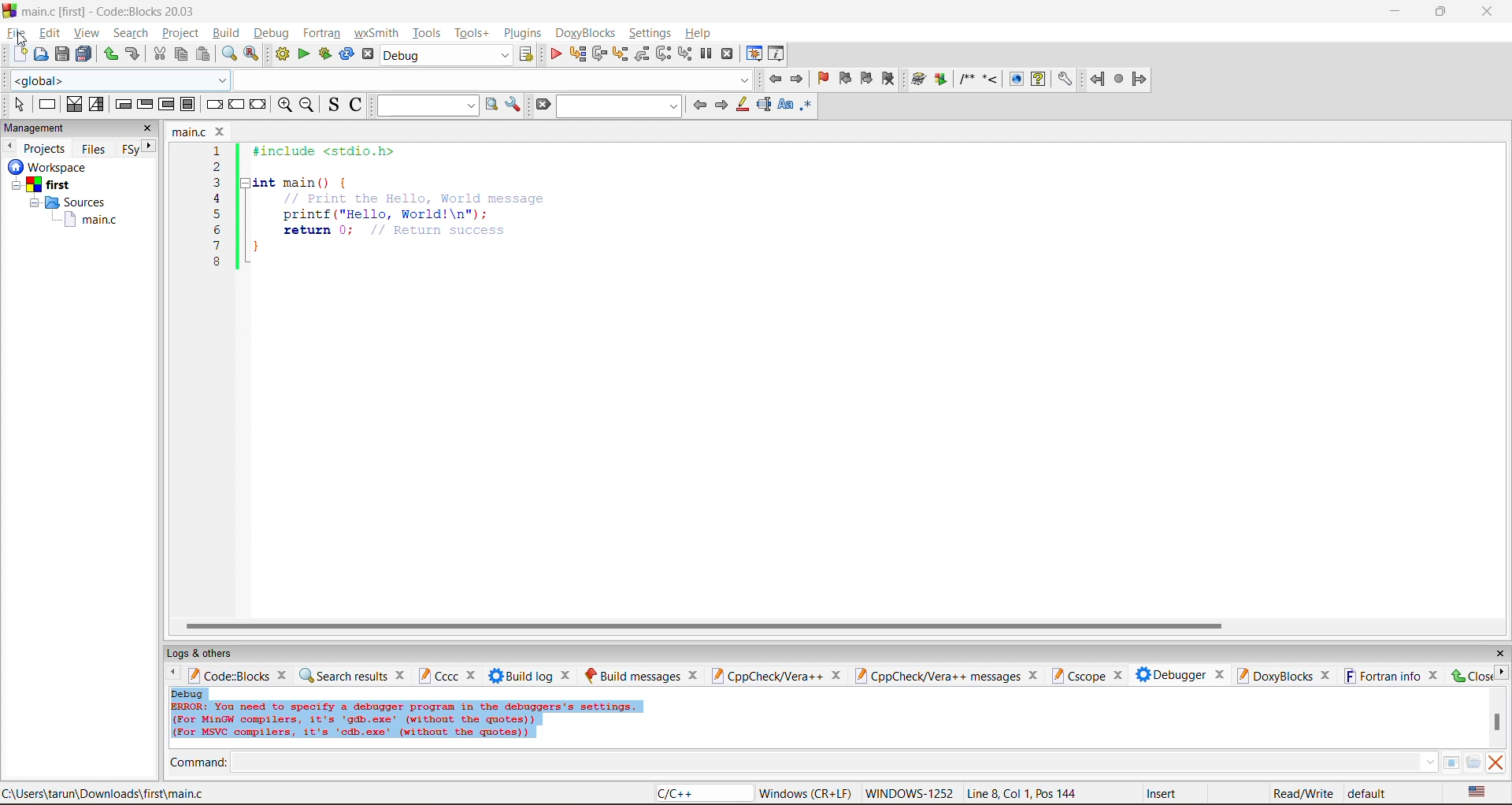  I want to click on previous, so click(169, 674).